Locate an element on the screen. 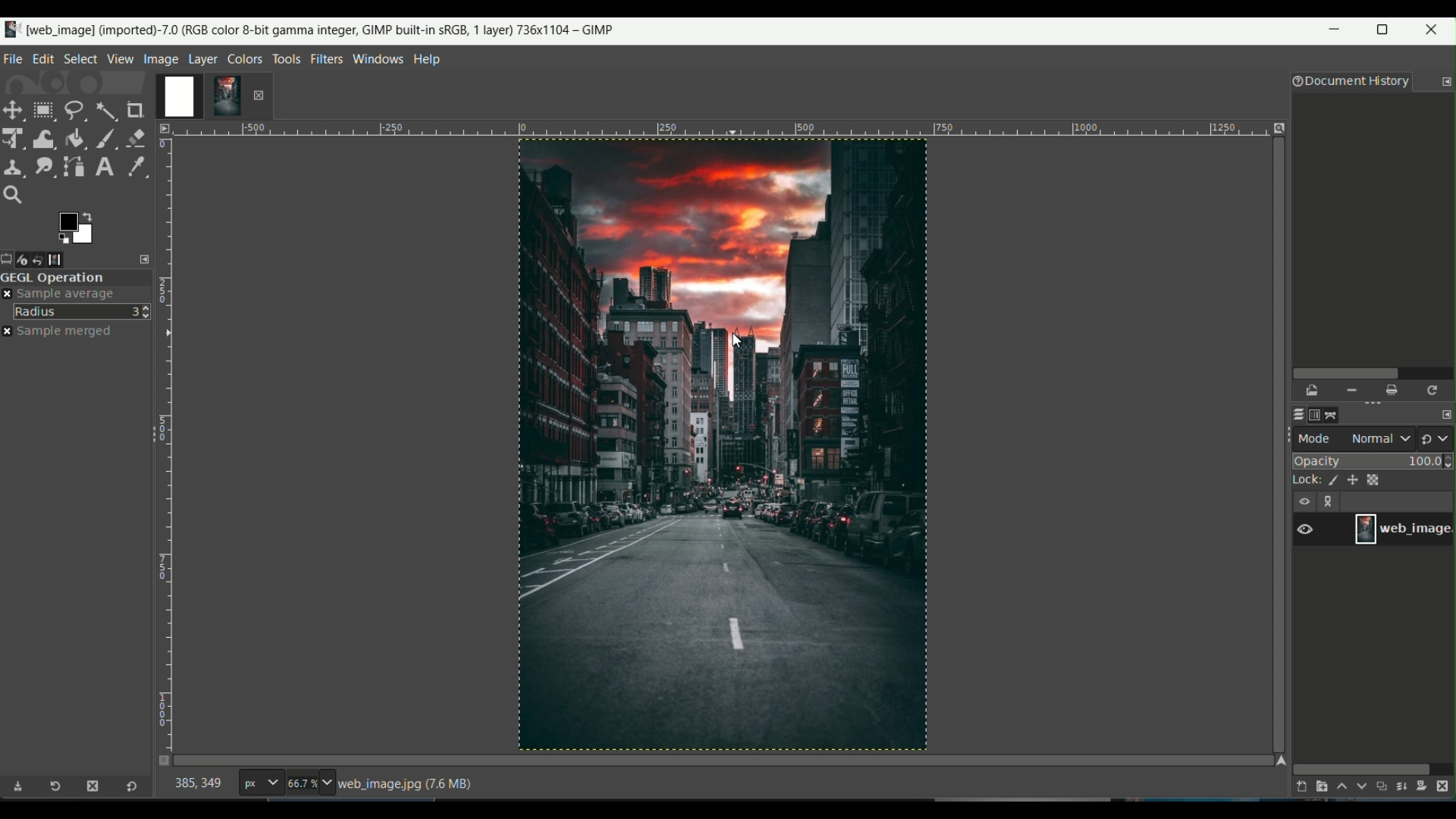  delete tool preset is located at coordinates (92, 786).